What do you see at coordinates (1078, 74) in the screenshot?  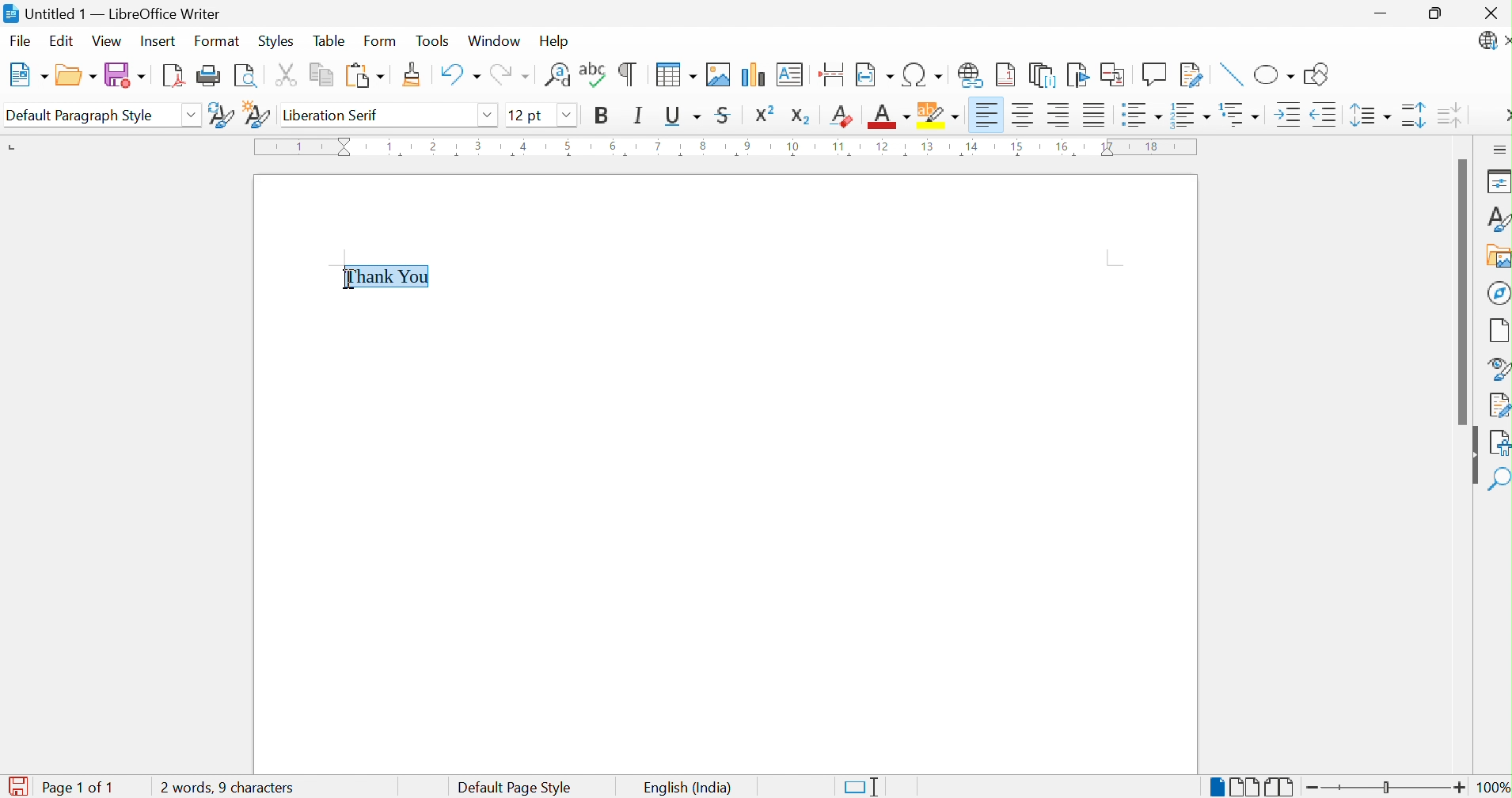 I see `Bookmark` at bounding box center [1078, 74].